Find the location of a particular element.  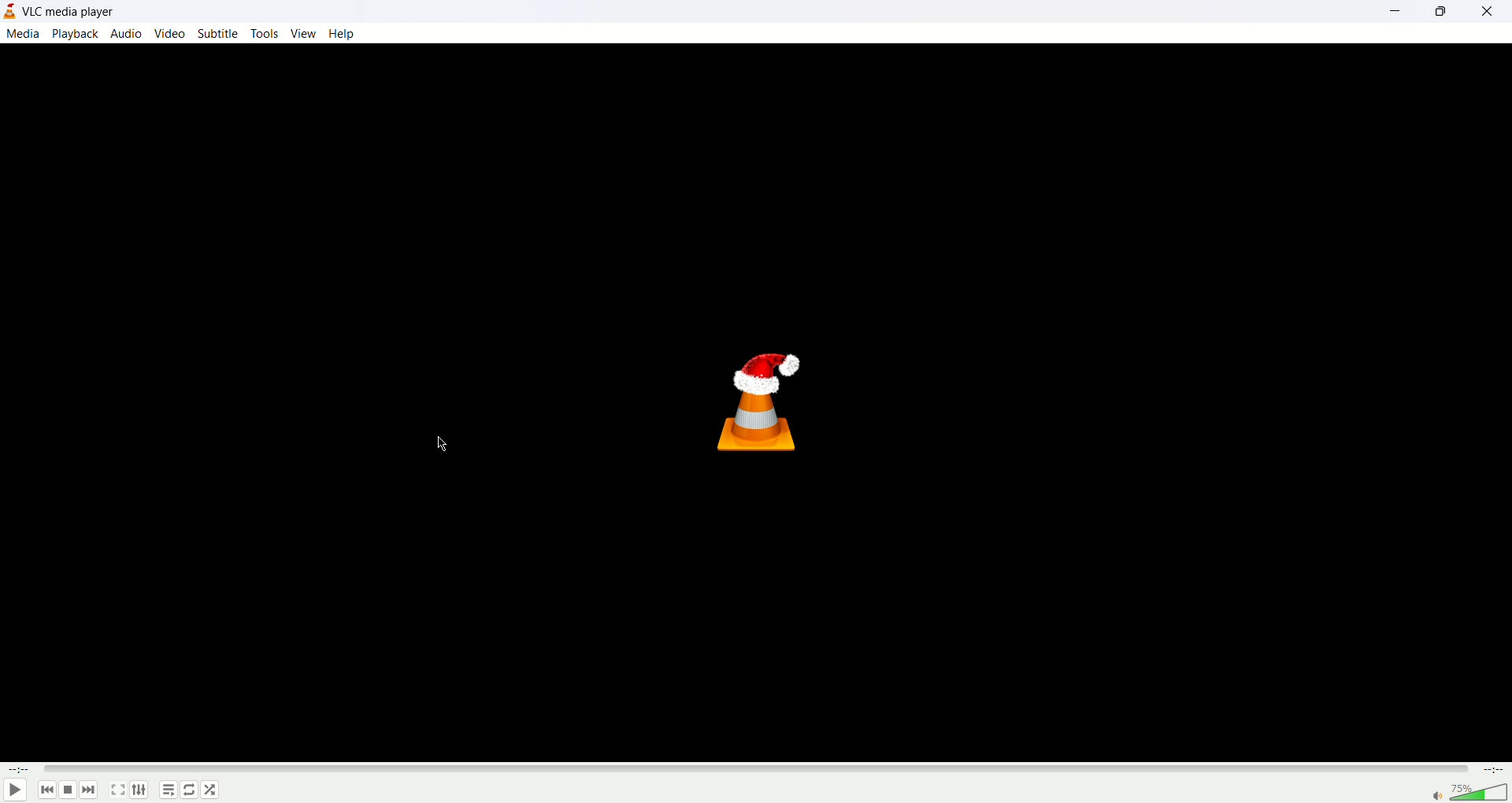

audio is located at coordinates (127, 35).